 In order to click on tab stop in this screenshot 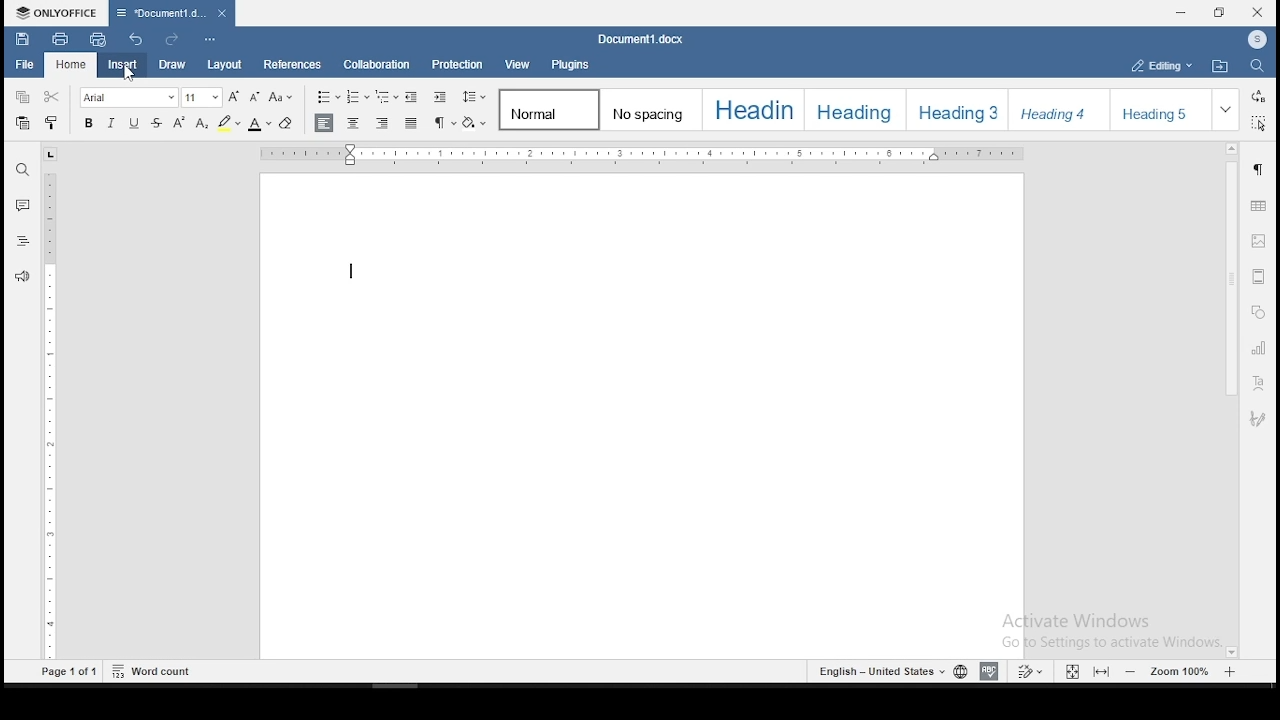, I will do `click(51, 154)`.